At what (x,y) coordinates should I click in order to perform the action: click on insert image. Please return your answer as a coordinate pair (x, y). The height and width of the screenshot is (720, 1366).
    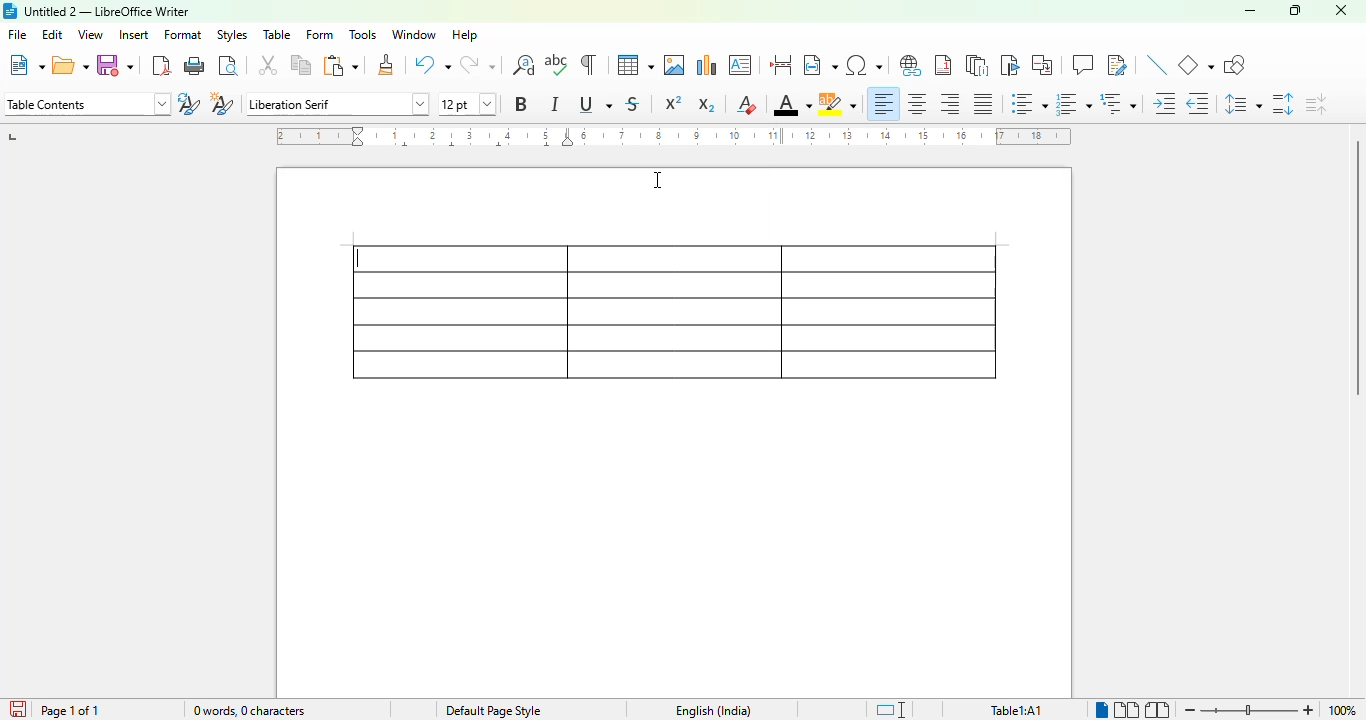
    Looking at the image, I should click on (674, 65).